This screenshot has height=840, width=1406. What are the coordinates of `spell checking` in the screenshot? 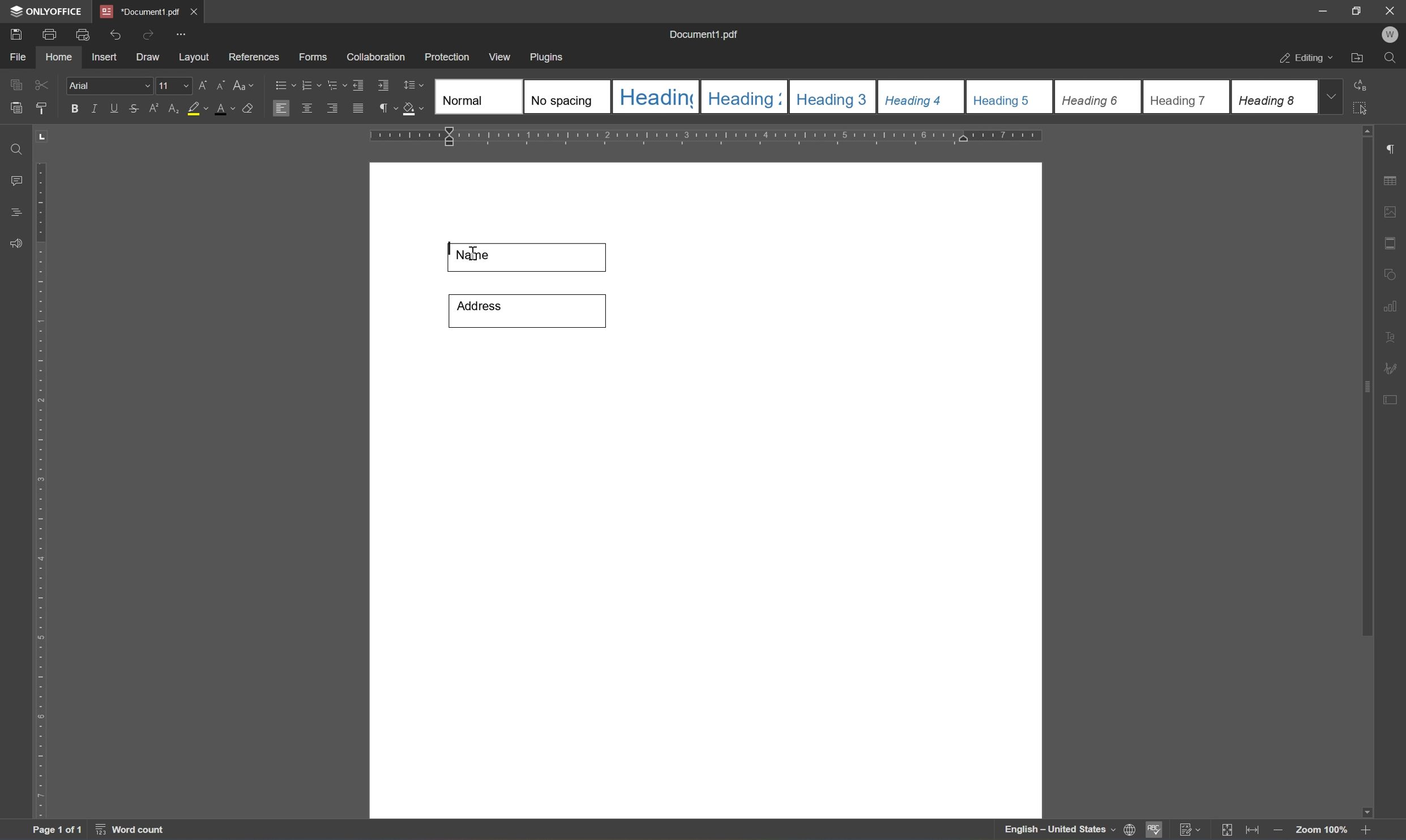 It's located at (1155, 832).